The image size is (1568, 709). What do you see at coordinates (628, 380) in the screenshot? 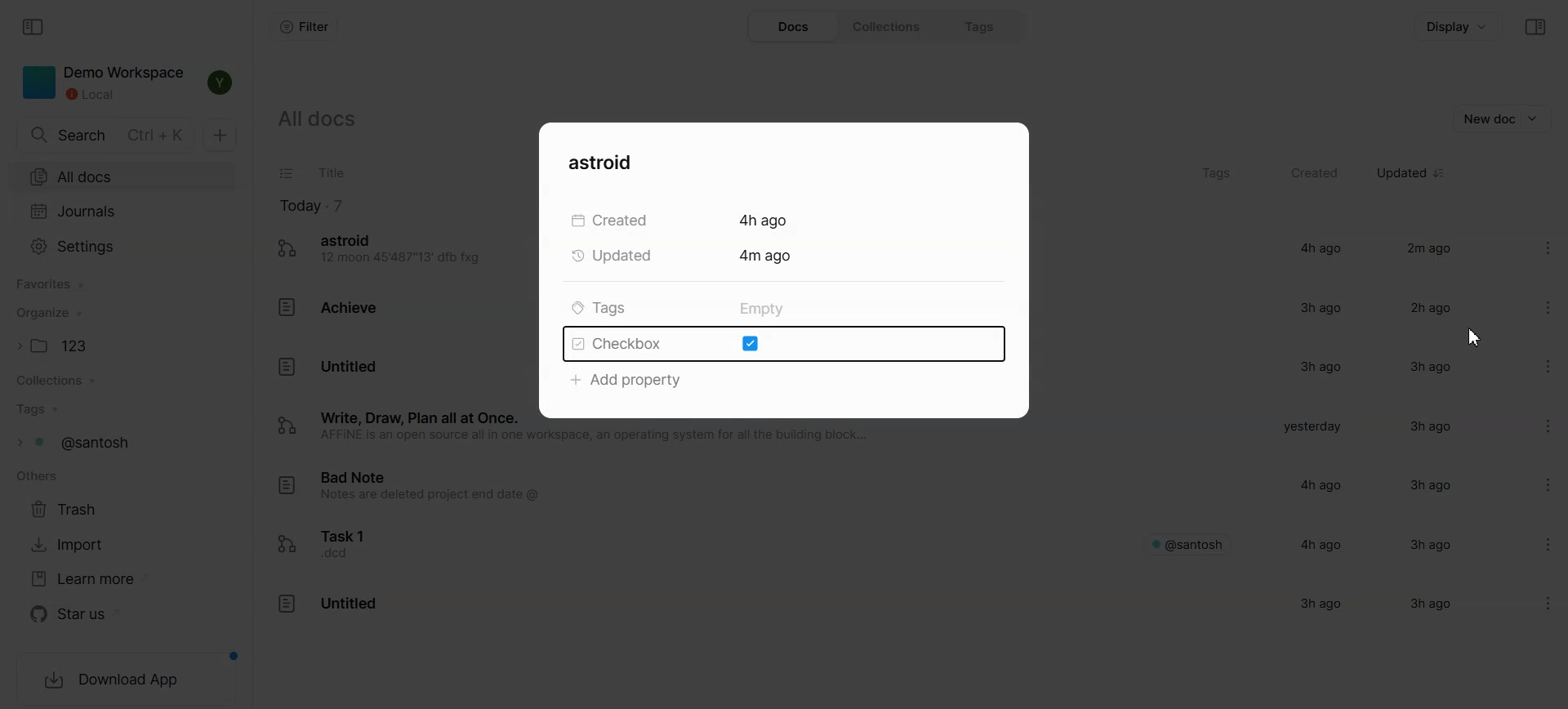
I see `Add property` at bounding box center [628, 380].